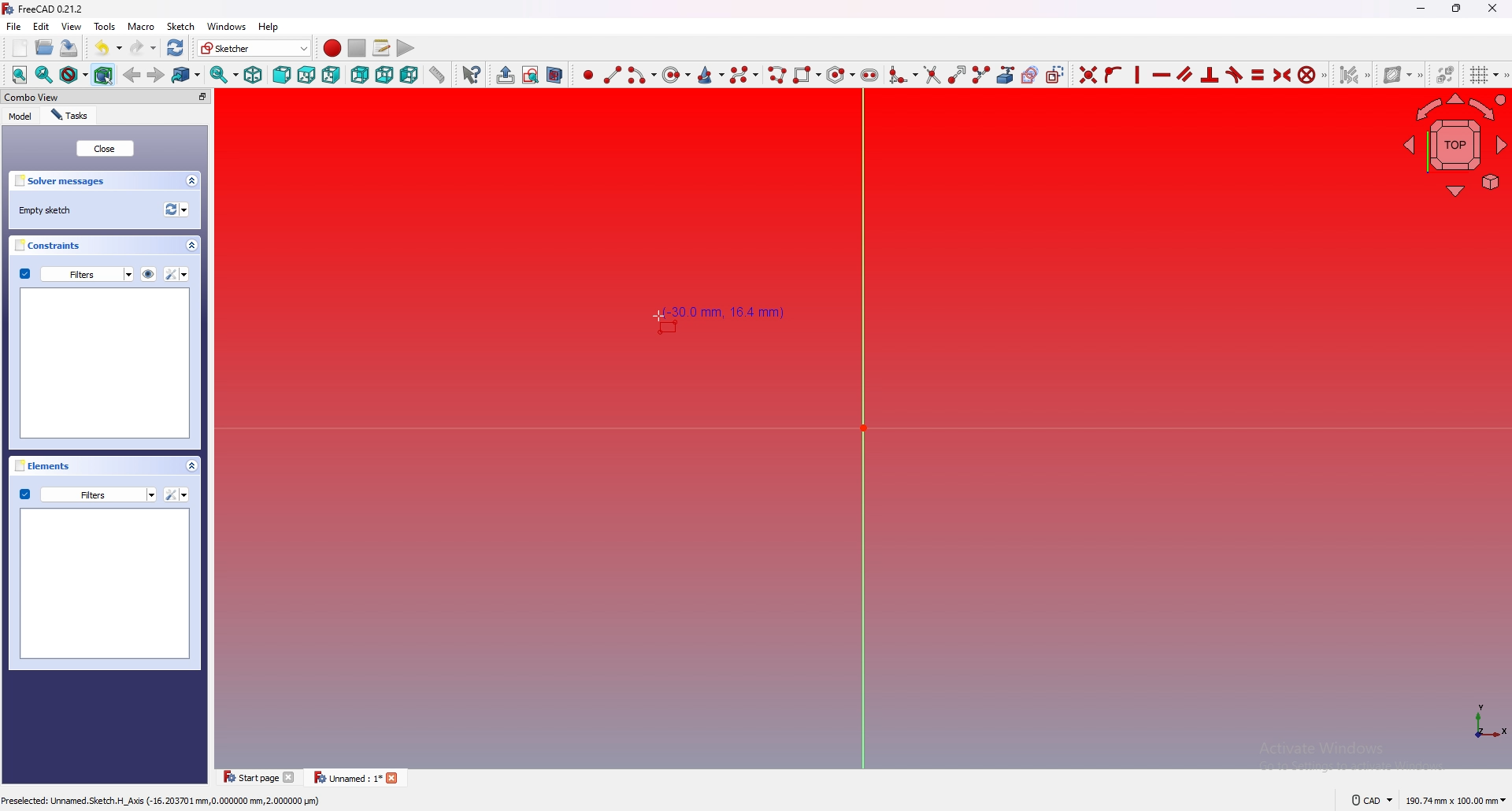 This screenshot has width=1512, height=811. What do you see at coordinates (532, 75) in the screenshot?
I see `view sketch` at bounding box center [532, 75].